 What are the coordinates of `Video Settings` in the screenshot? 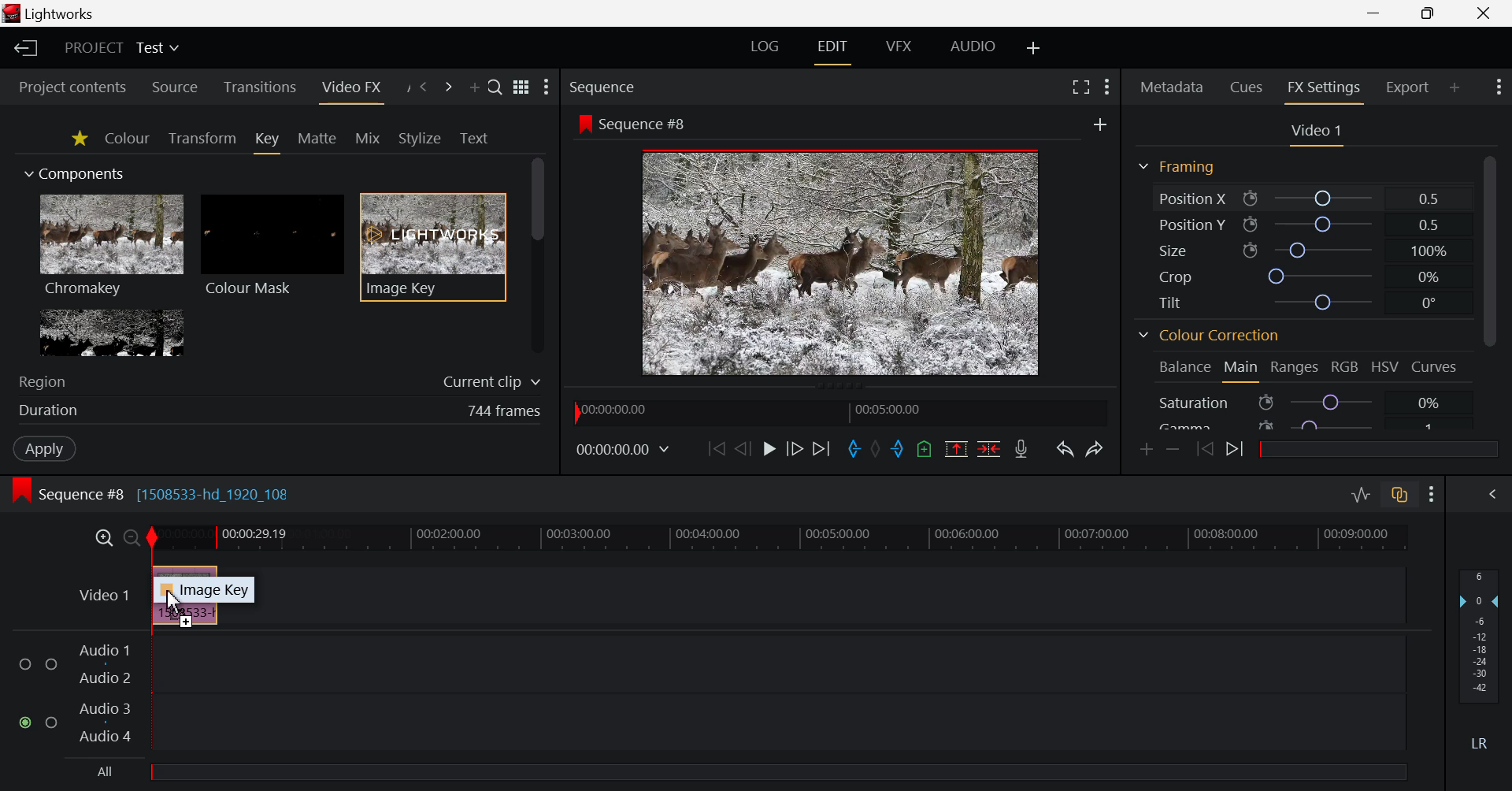 It's located at (1319, 134).